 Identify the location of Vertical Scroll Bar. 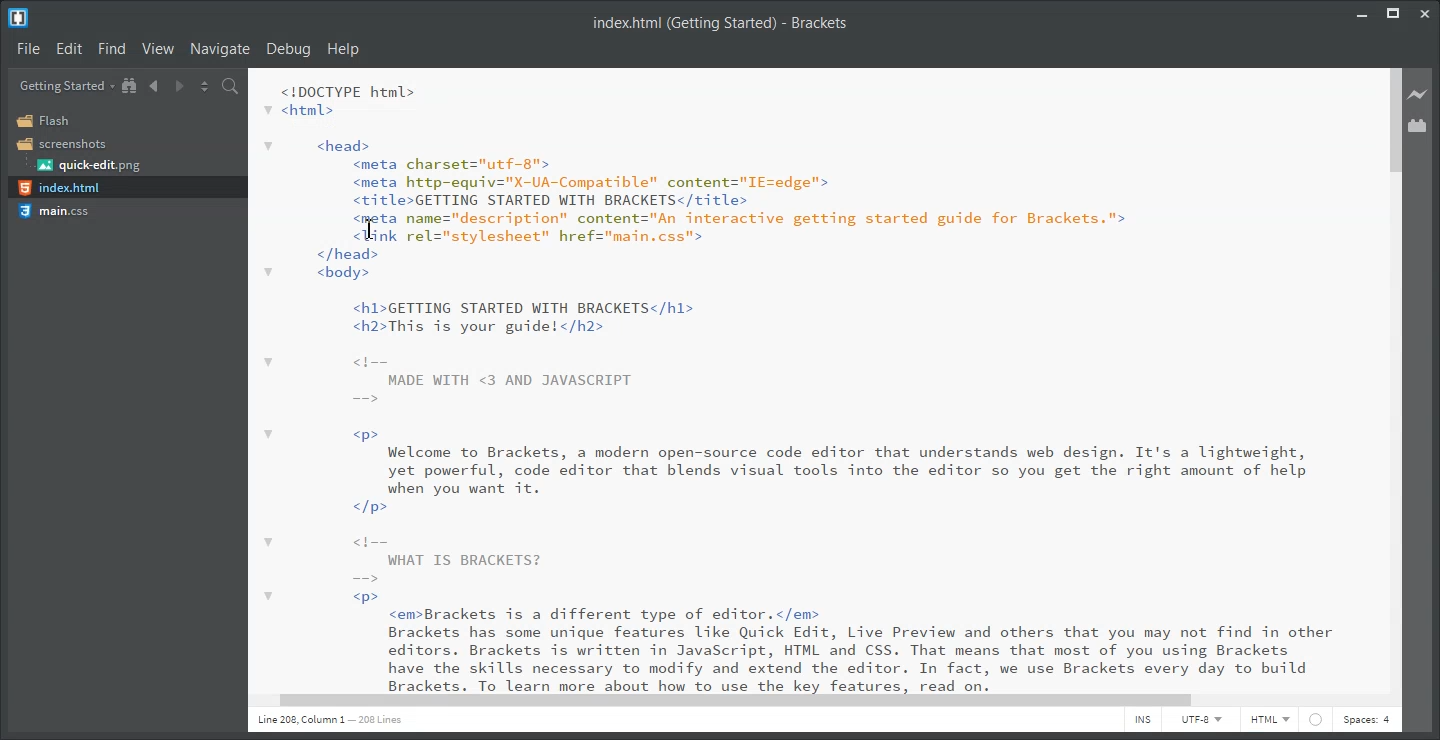
(1392, 377).